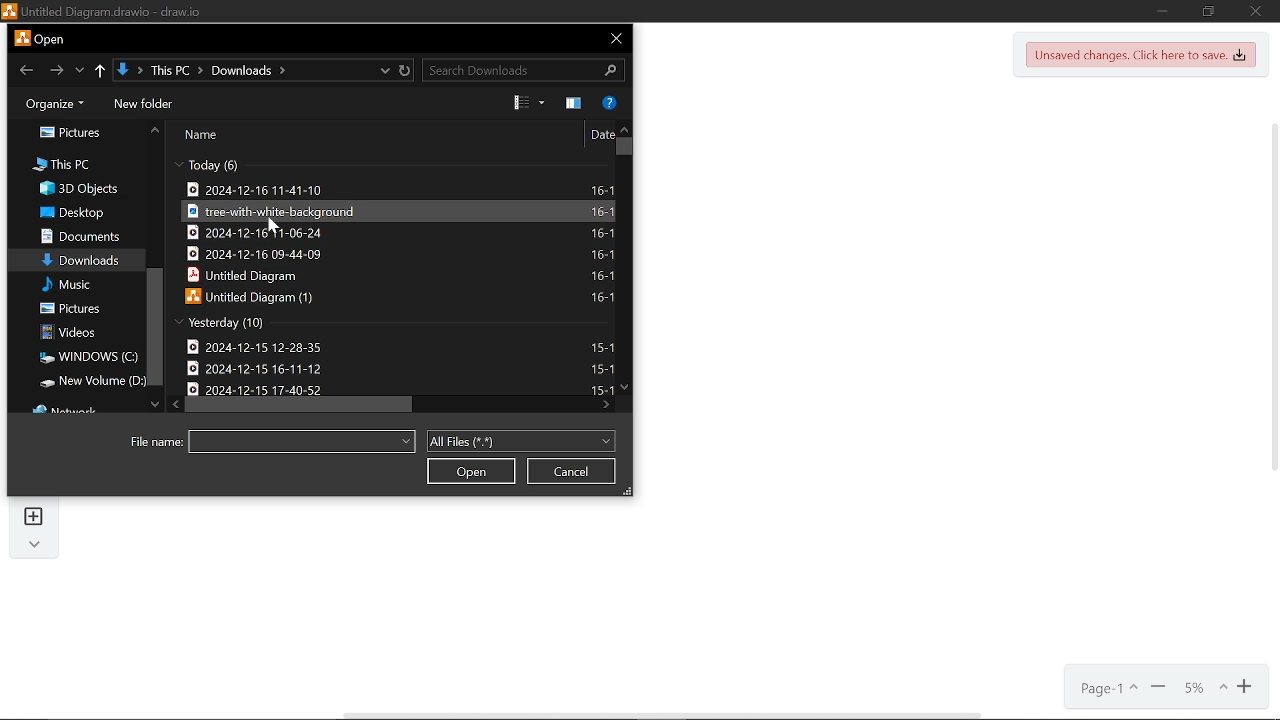 Image resolution: width=1280 pixels, height=720 pixels. What do you see at coordinates (1158, 688) in the screenshot?
I see `Zoom out` at bounding box center [1158, 688].